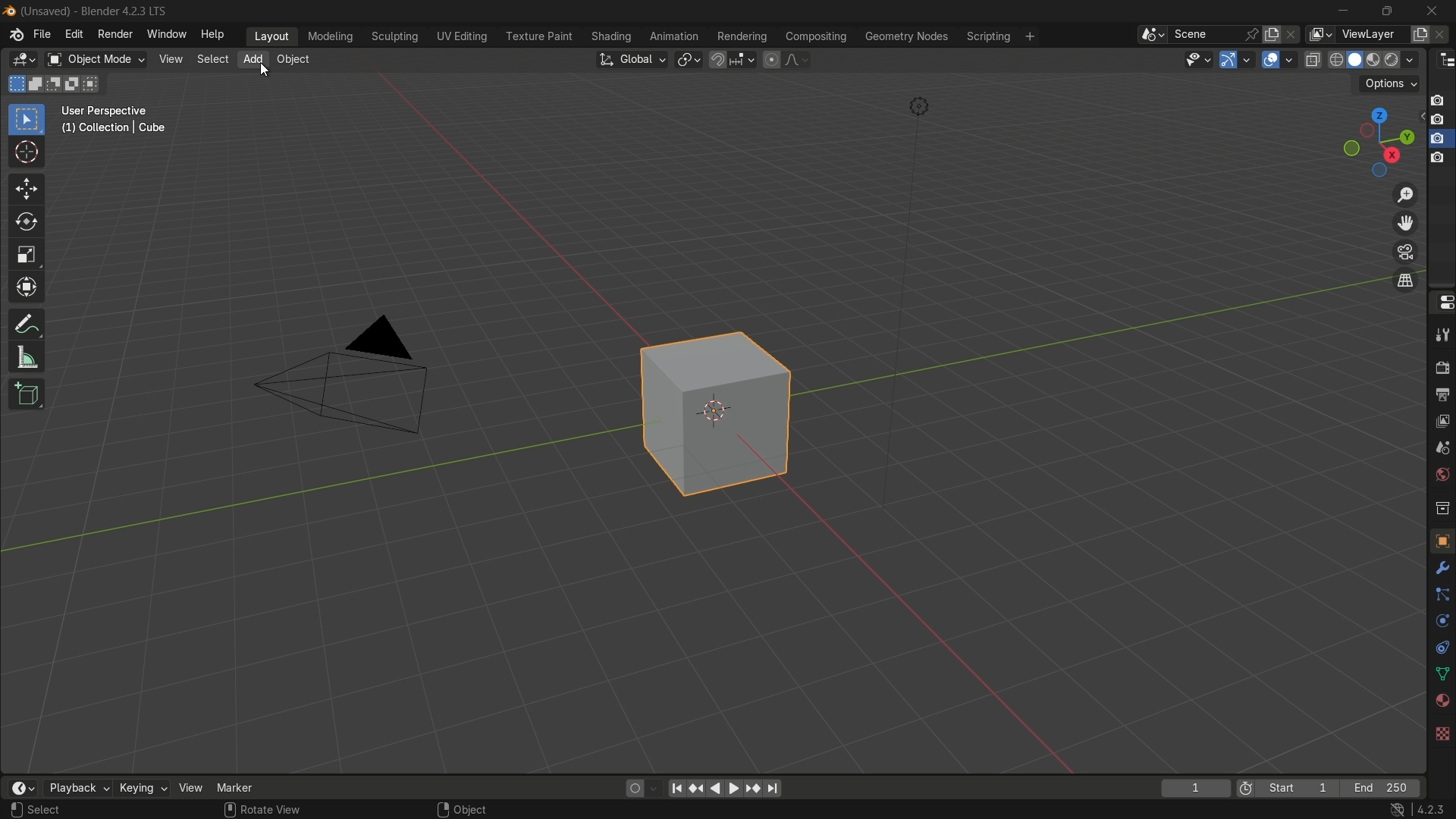  Describe the element at coordinates (16, 810) in the screenshot. I see `mouse left click` at that location.